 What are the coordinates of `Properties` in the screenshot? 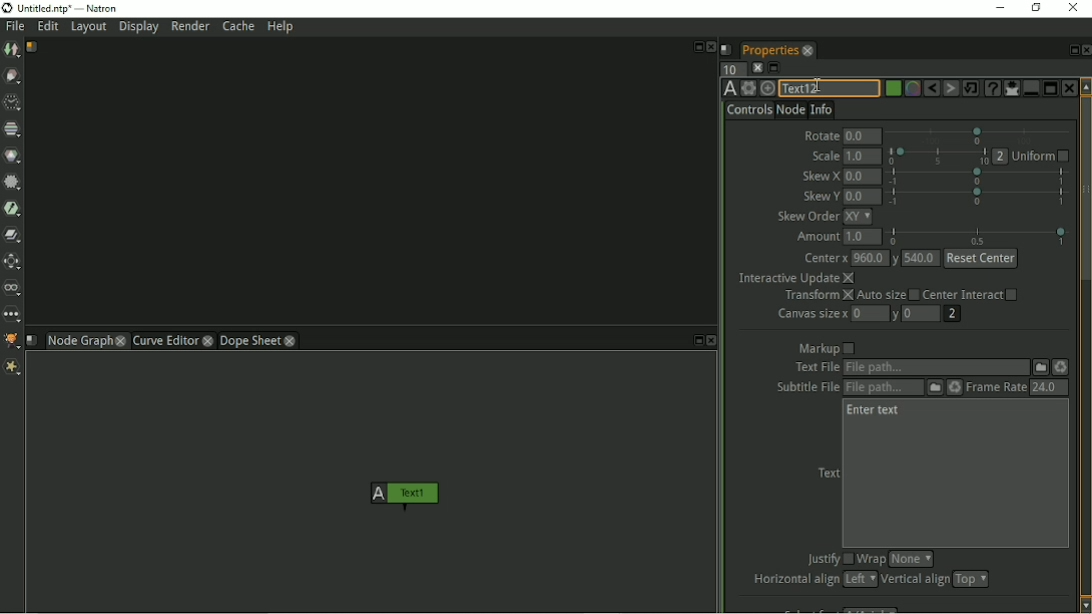 It's located at (768, 48).